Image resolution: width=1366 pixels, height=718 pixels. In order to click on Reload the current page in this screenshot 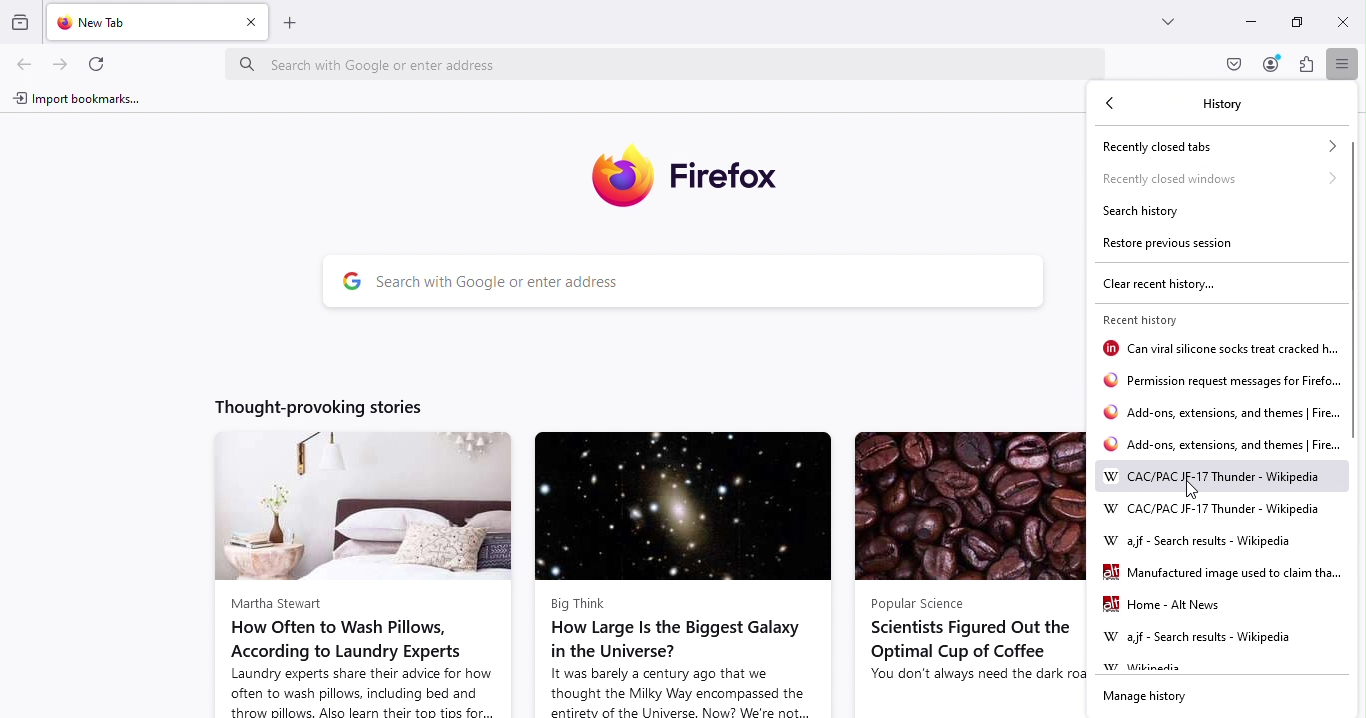, I will do `click(101, 65)`.